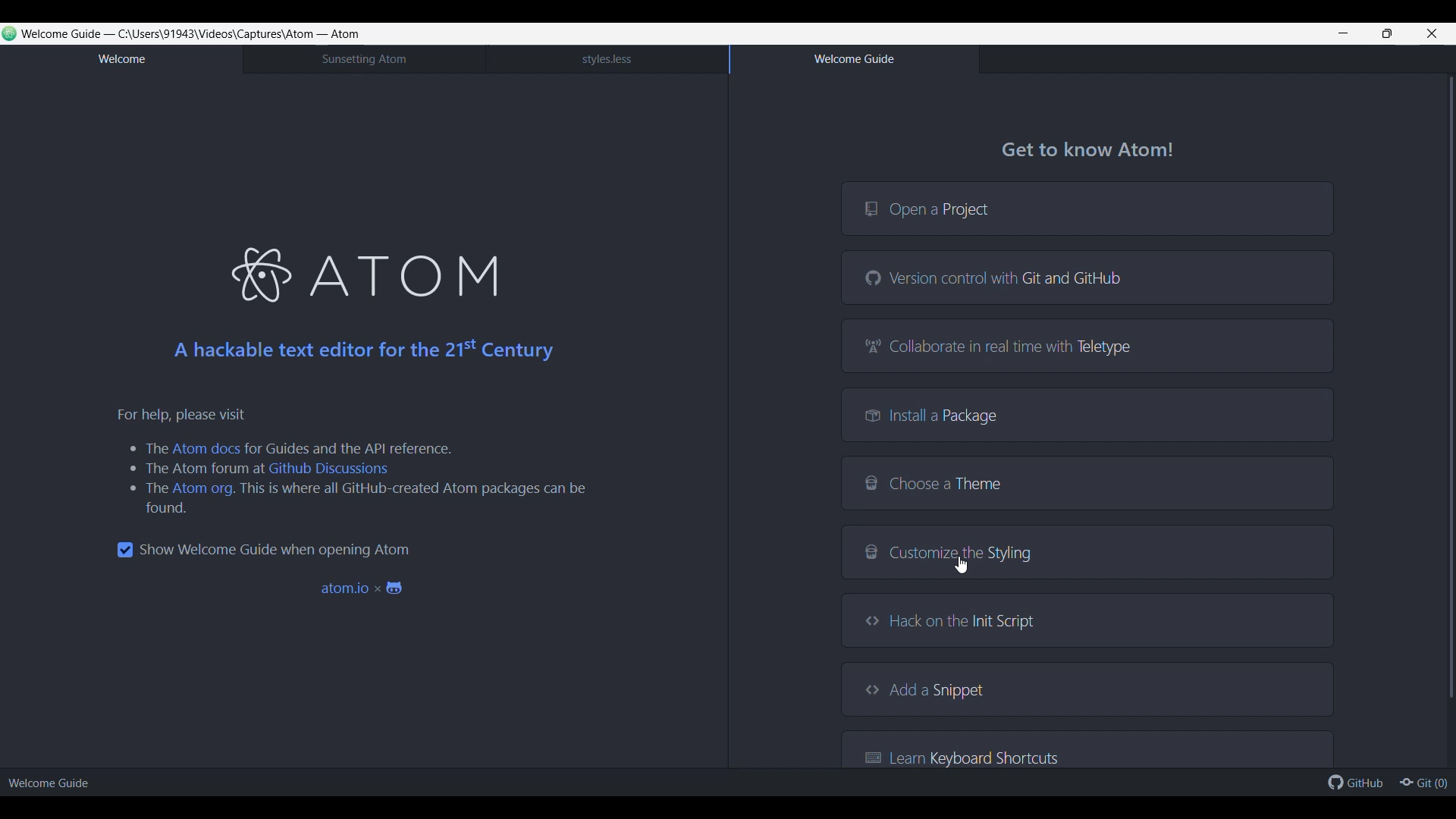 This screenshot has width=1456, height=819. Describe the element at coordinates (121, 60) in the screenshot. I see `Welcome tab, current tab highlighted` at that location.